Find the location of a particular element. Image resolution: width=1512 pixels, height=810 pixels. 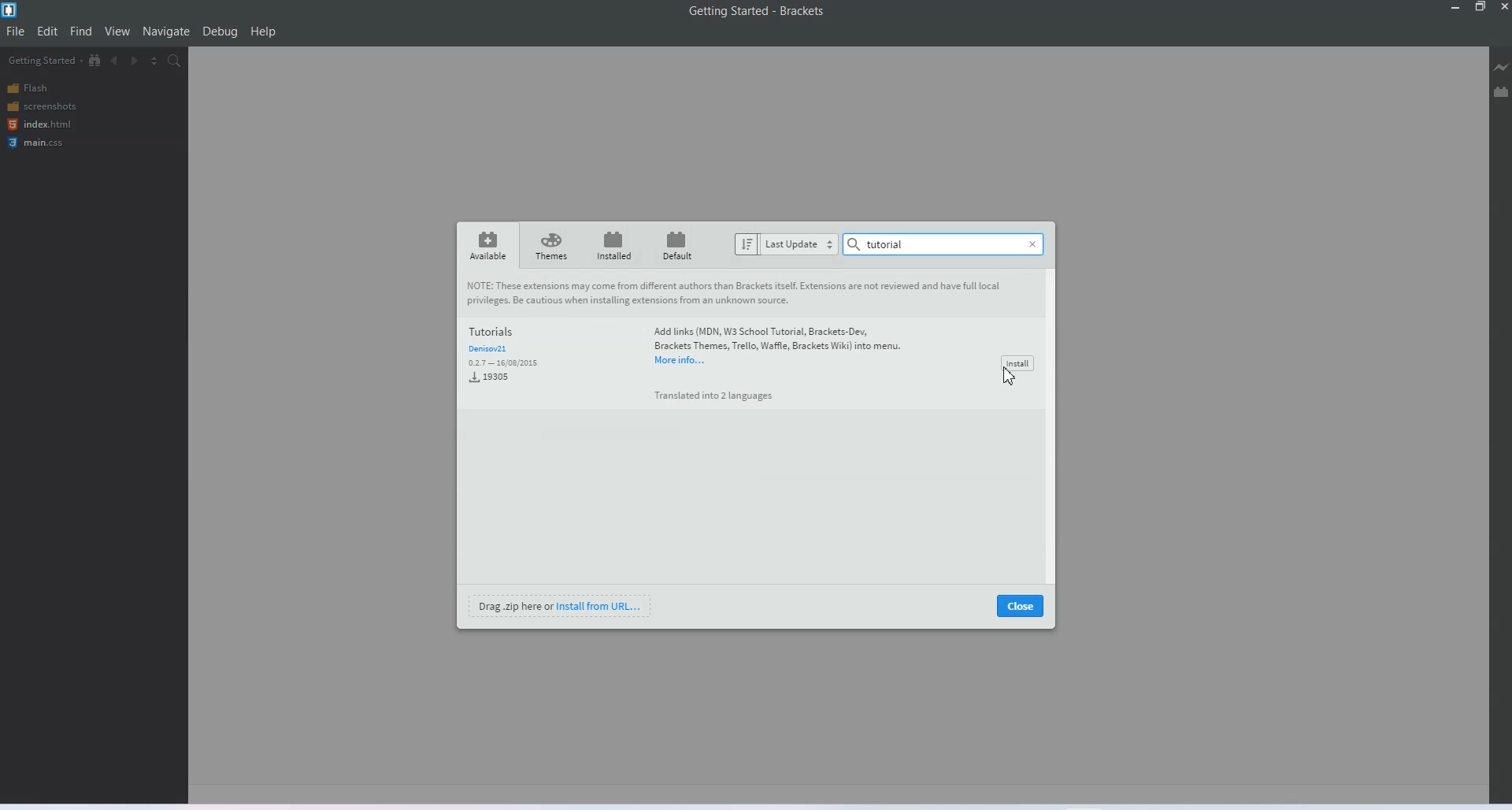

Screenshots is located at coordinates (43, 106).